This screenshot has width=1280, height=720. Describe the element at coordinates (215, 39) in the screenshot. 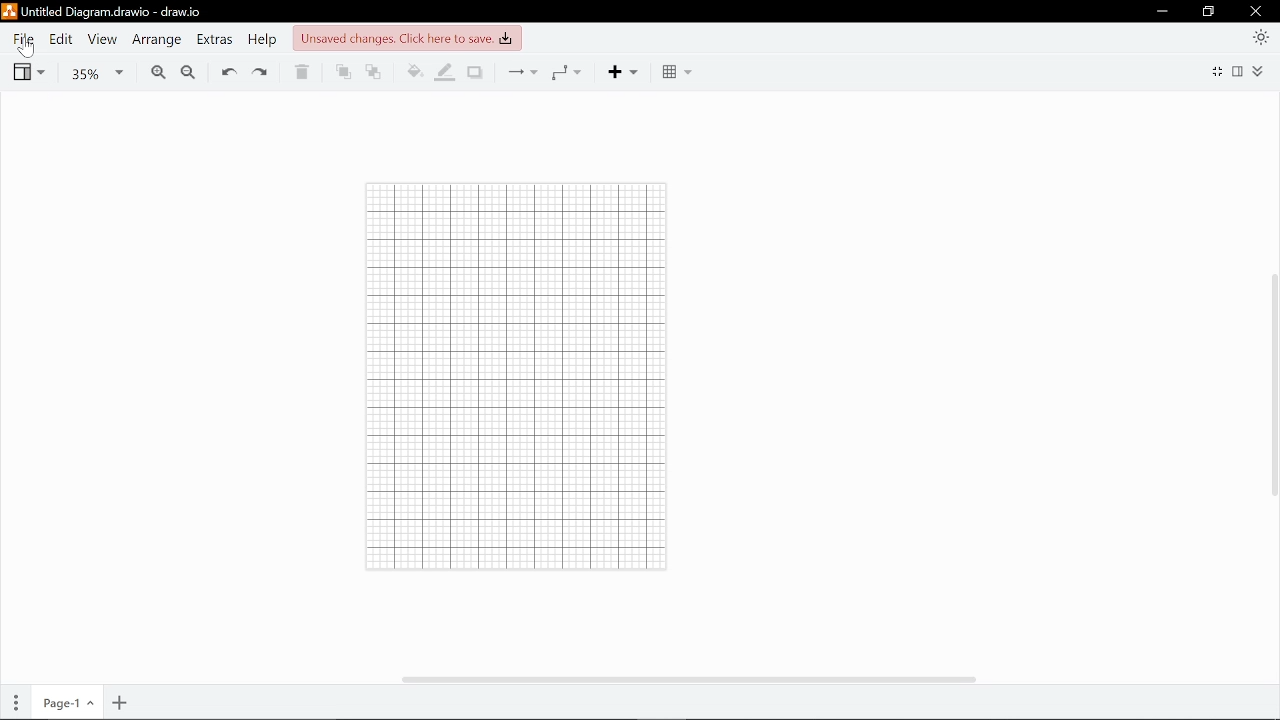

I see `extras` at that location.